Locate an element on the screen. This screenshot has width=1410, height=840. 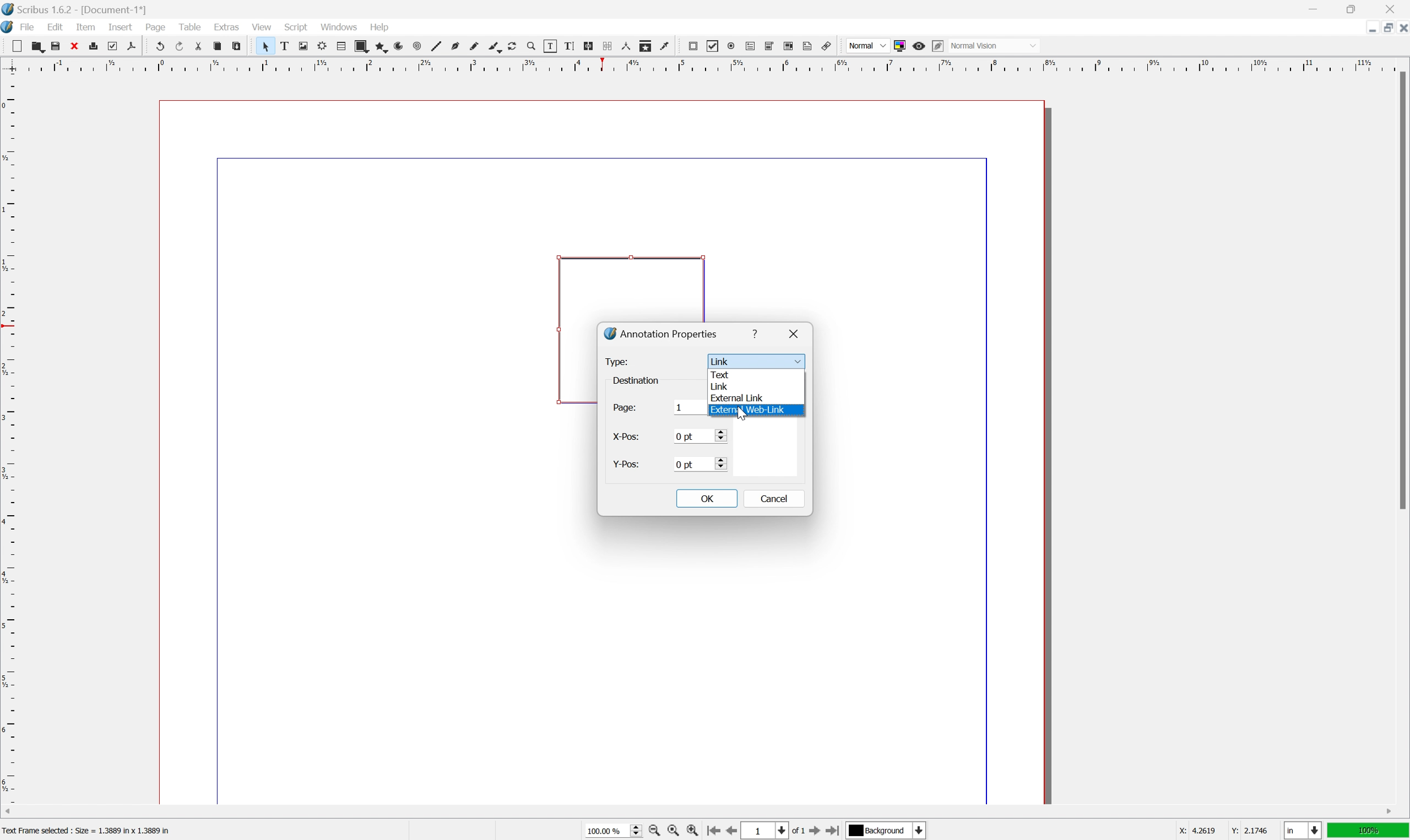
link is located at coordinates (755, 361).